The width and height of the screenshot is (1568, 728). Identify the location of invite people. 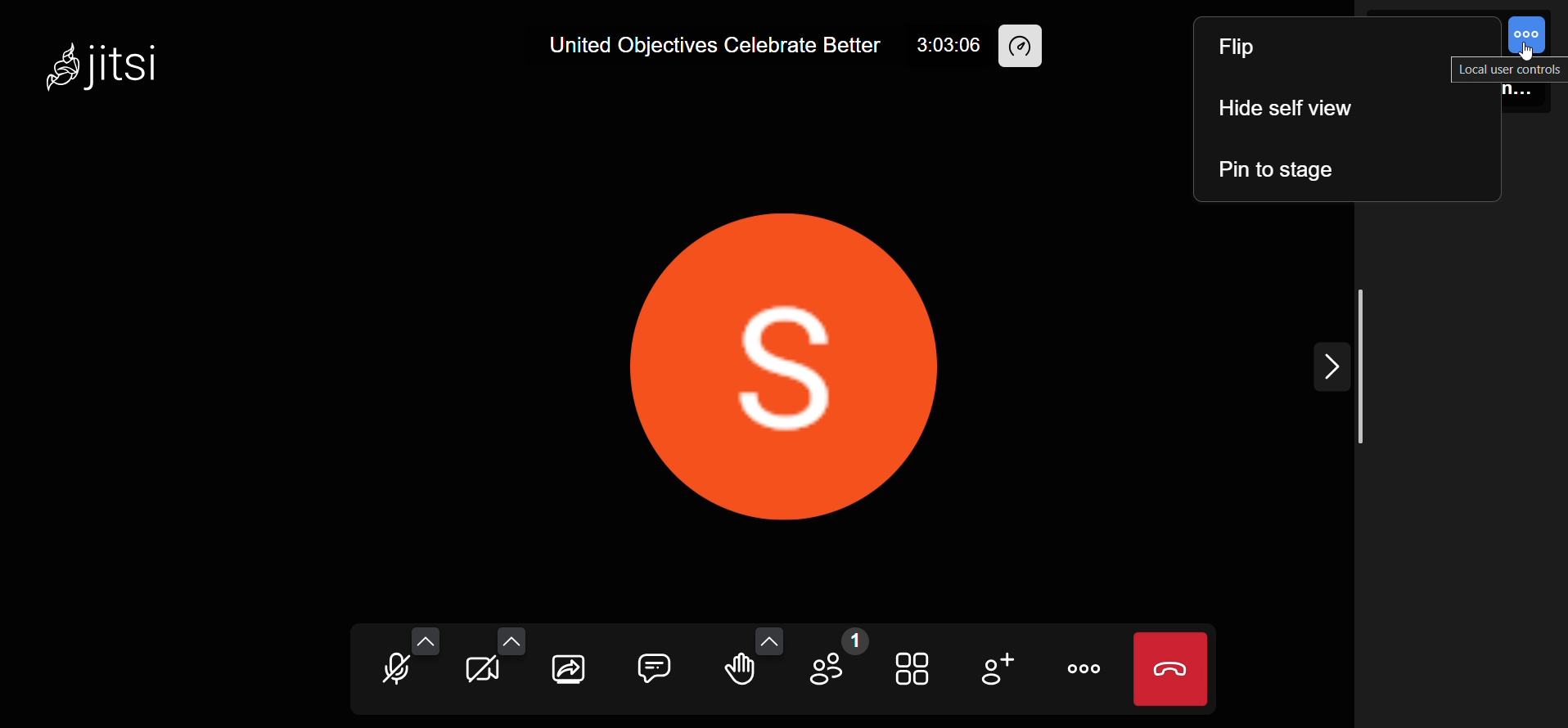
(998, 668).